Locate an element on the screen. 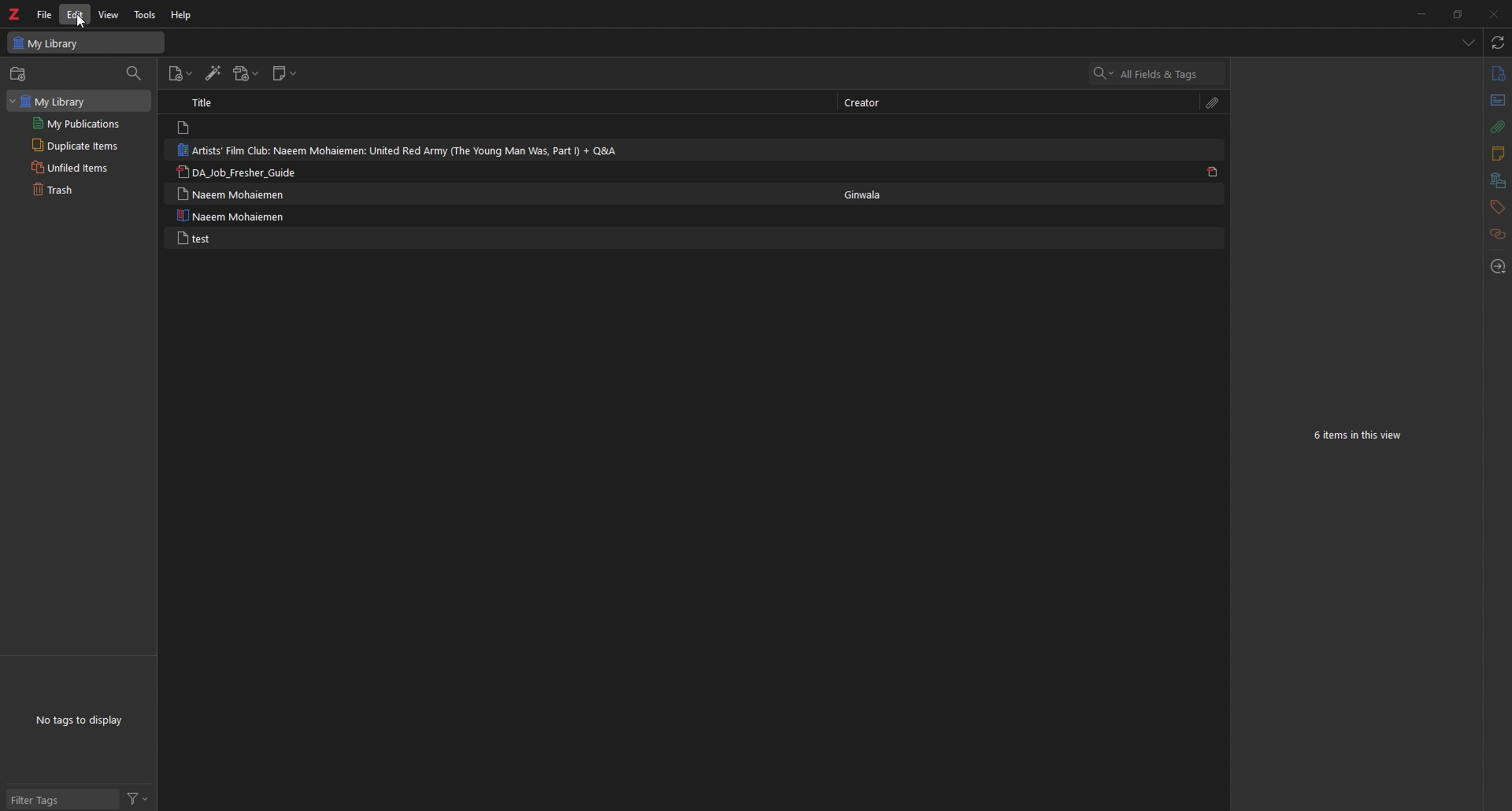  filter tags is located at coordinates (61, 798).